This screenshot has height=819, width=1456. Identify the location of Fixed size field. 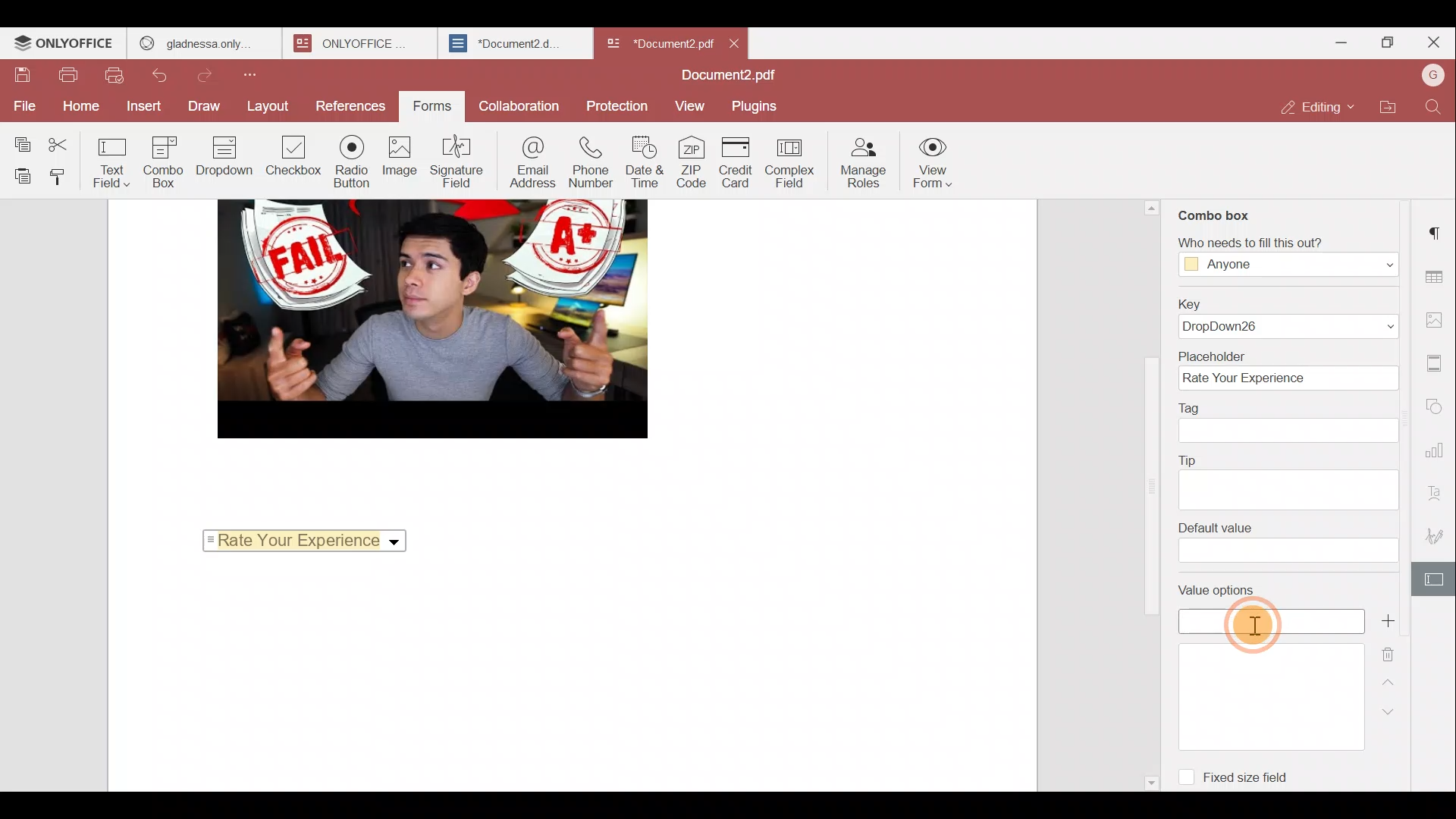
(1236, 773).